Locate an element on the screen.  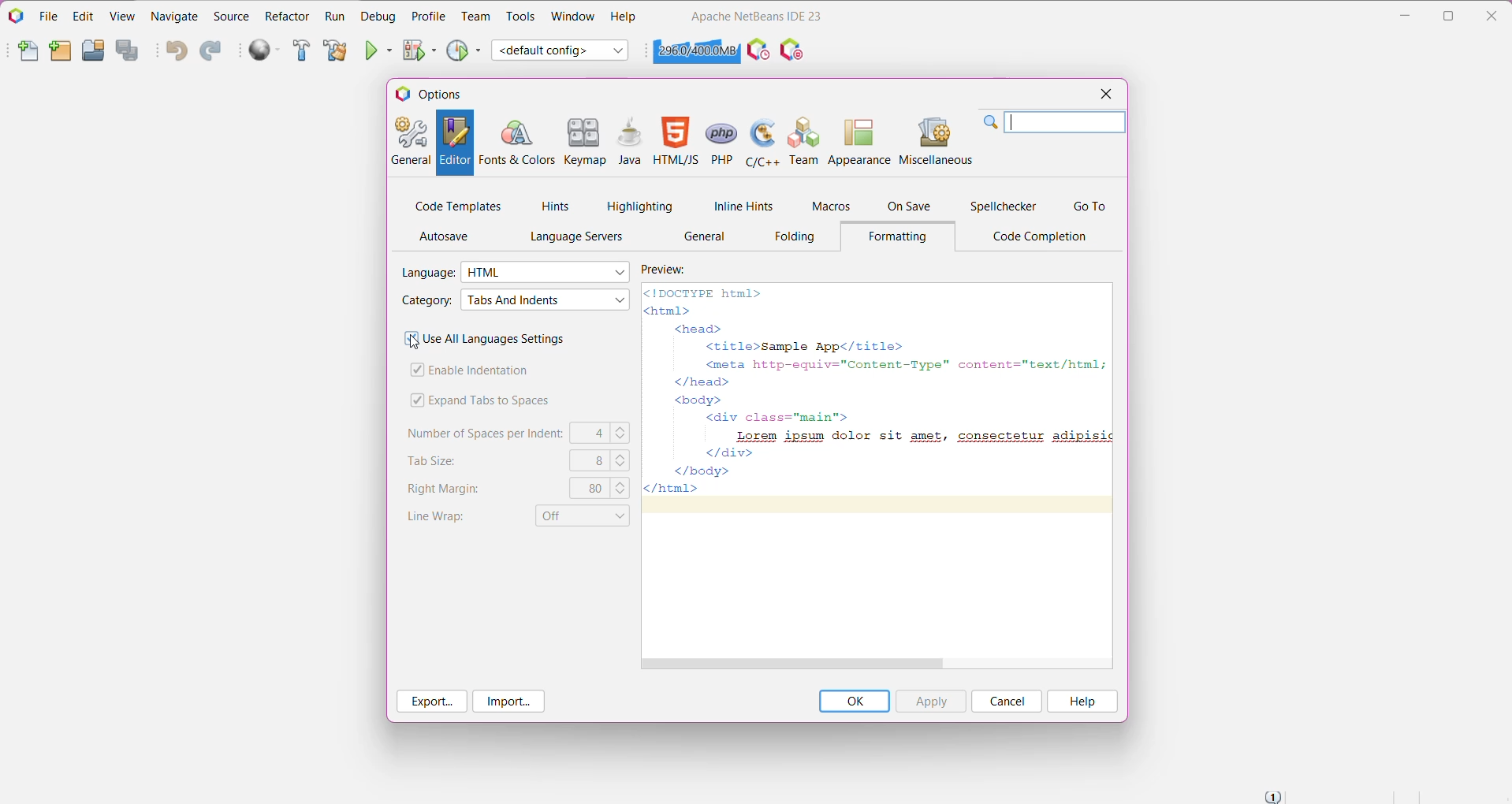
Refactor is located at coordinates (287, 16).